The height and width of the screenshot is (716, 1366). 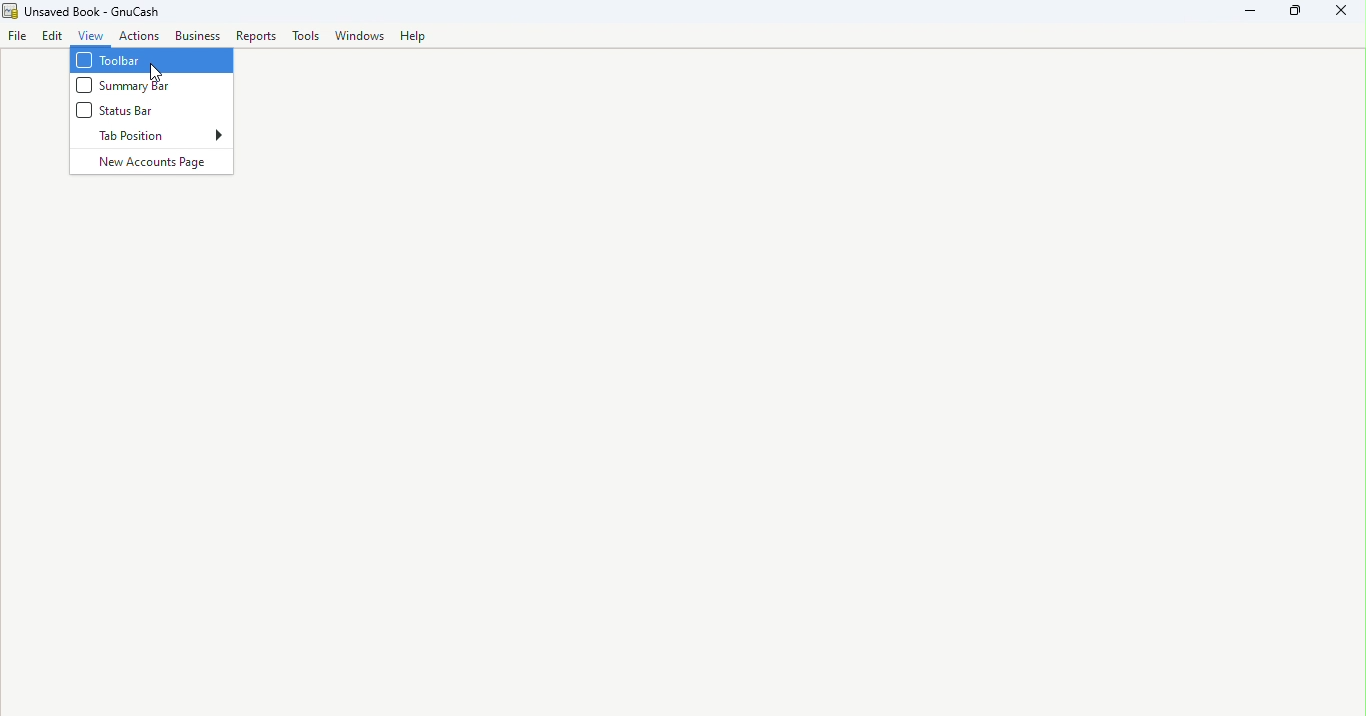 I want to click on Reports, so click(x=256, y=37).